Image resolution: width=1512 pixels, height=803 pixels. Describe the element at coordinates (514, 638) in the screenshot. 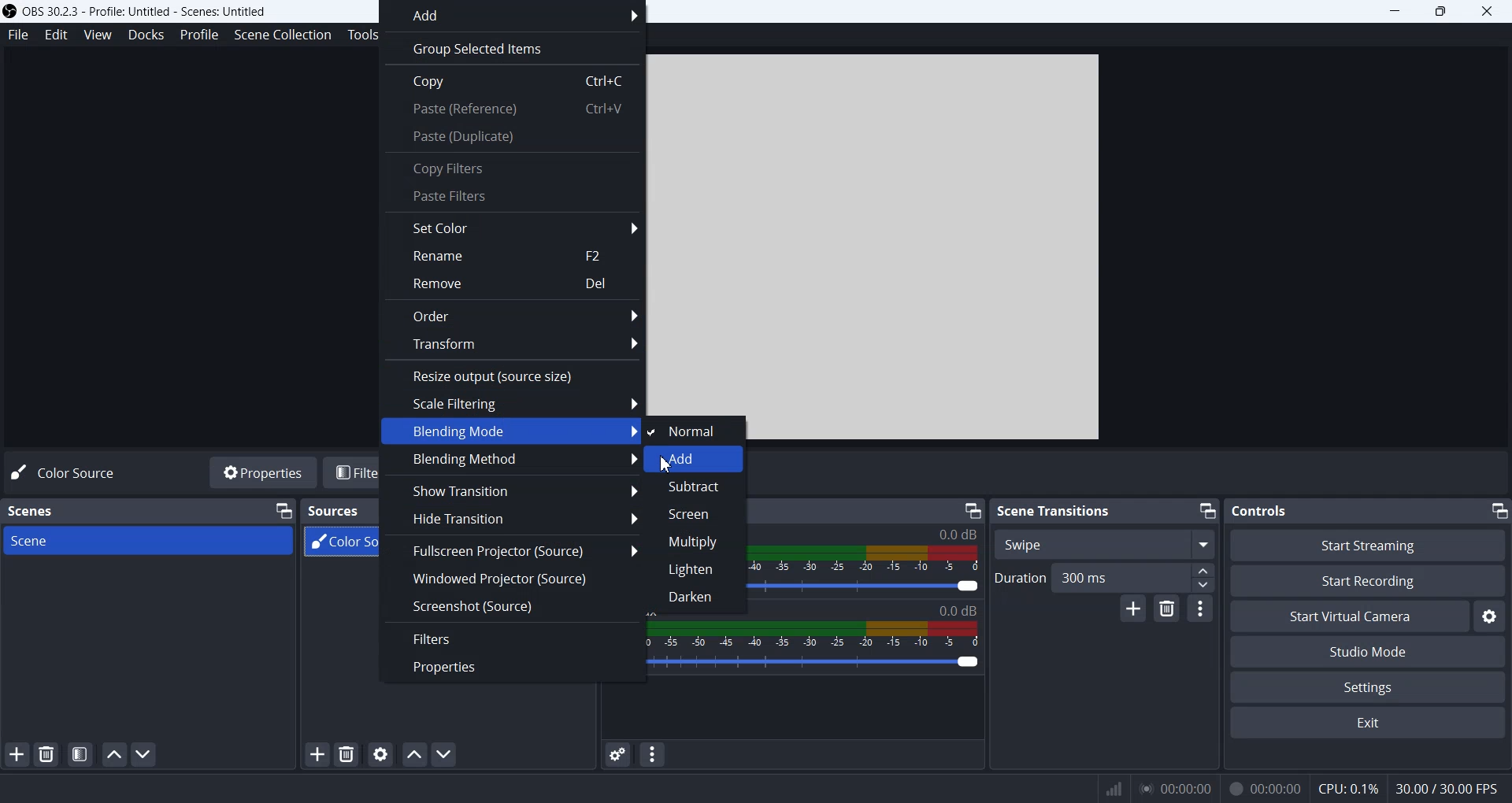

I see `Filters` at that location.